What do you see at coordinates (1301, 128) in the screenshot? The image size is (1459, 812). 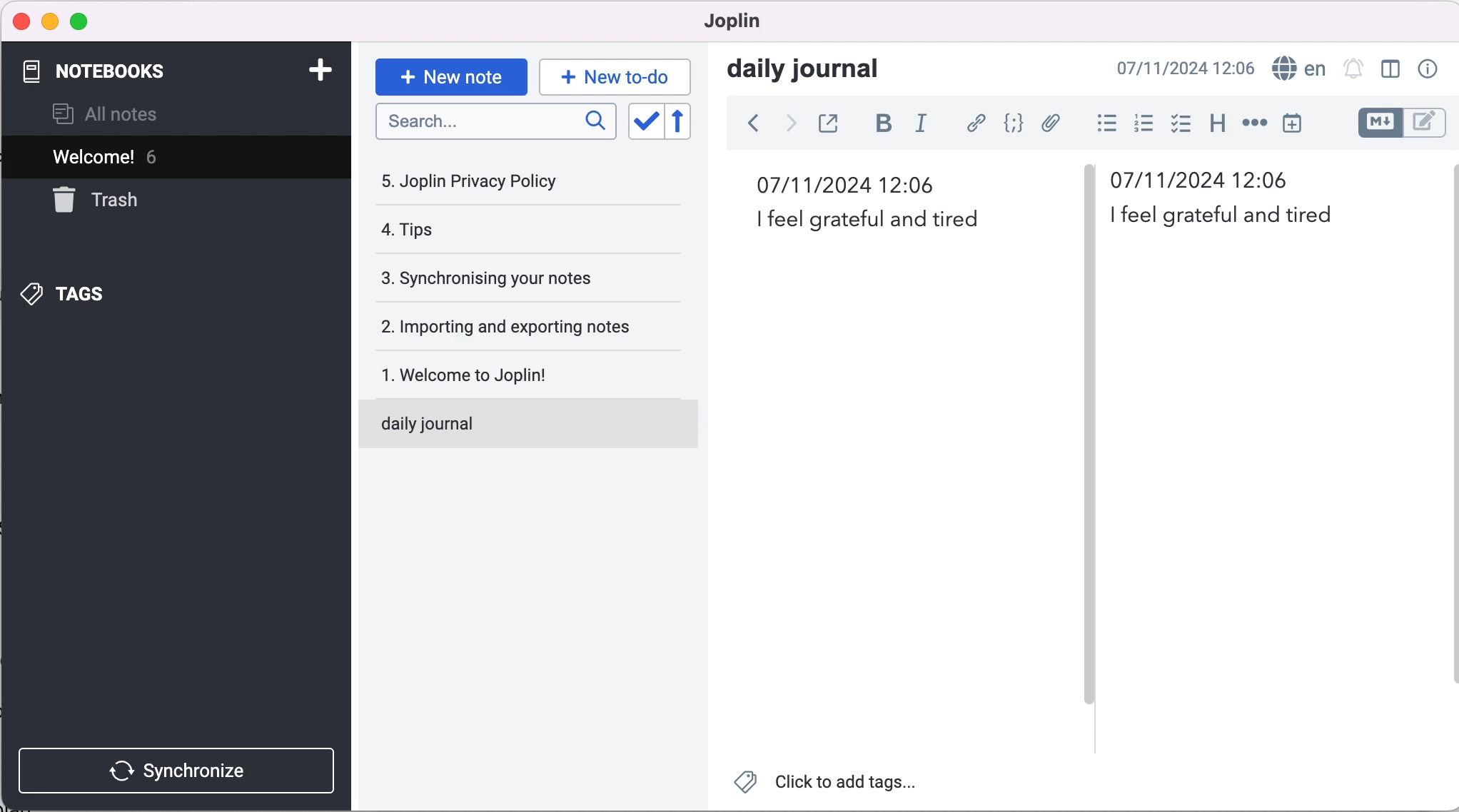 I see `insert time` at bounding box center [1301, 128].